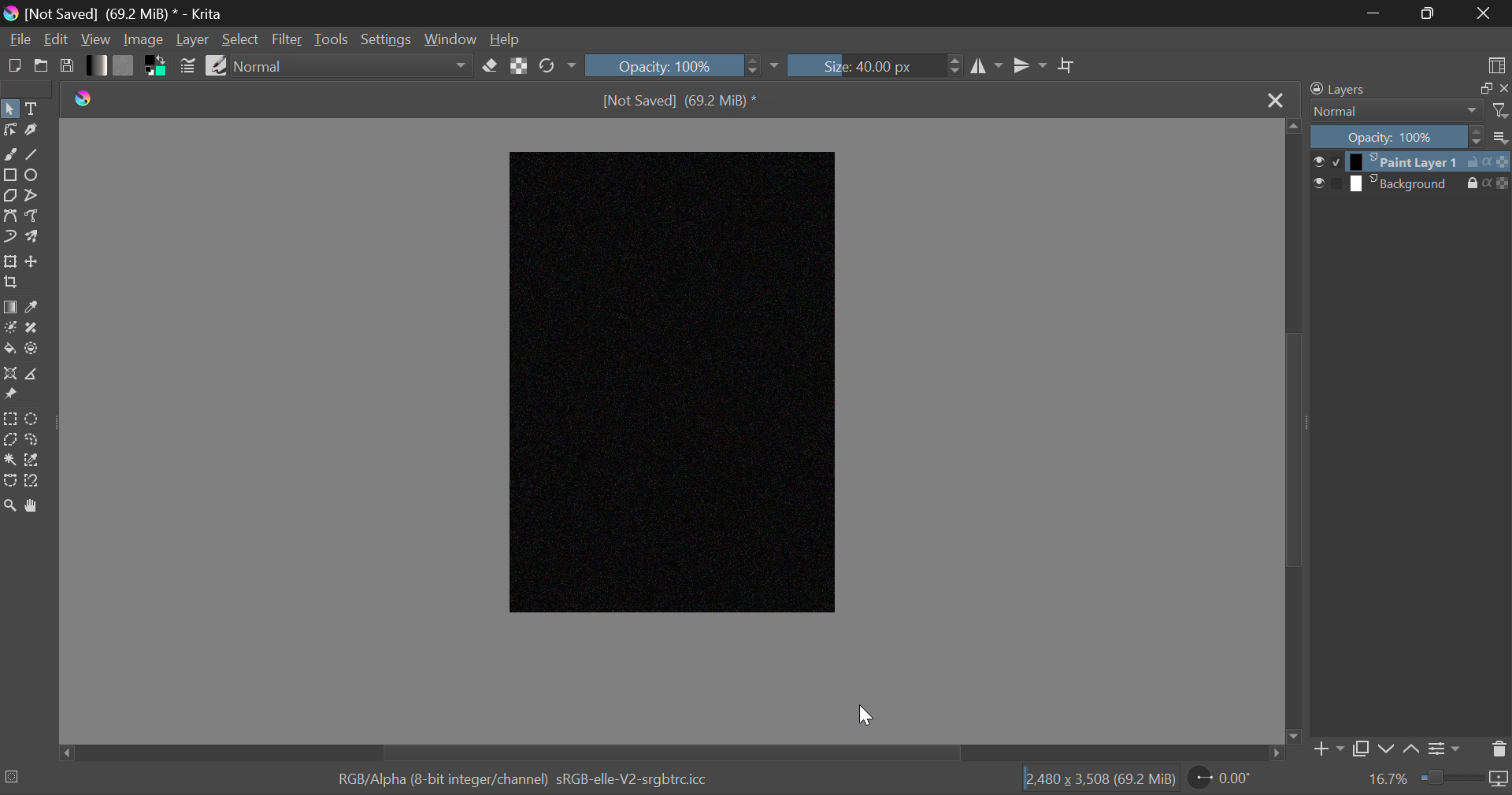 This screenshot has height=795, width=1512. What do you see at coordinates (1276, 752) in the screenshot?
I see `move right` at bounding box center [1276, 752].